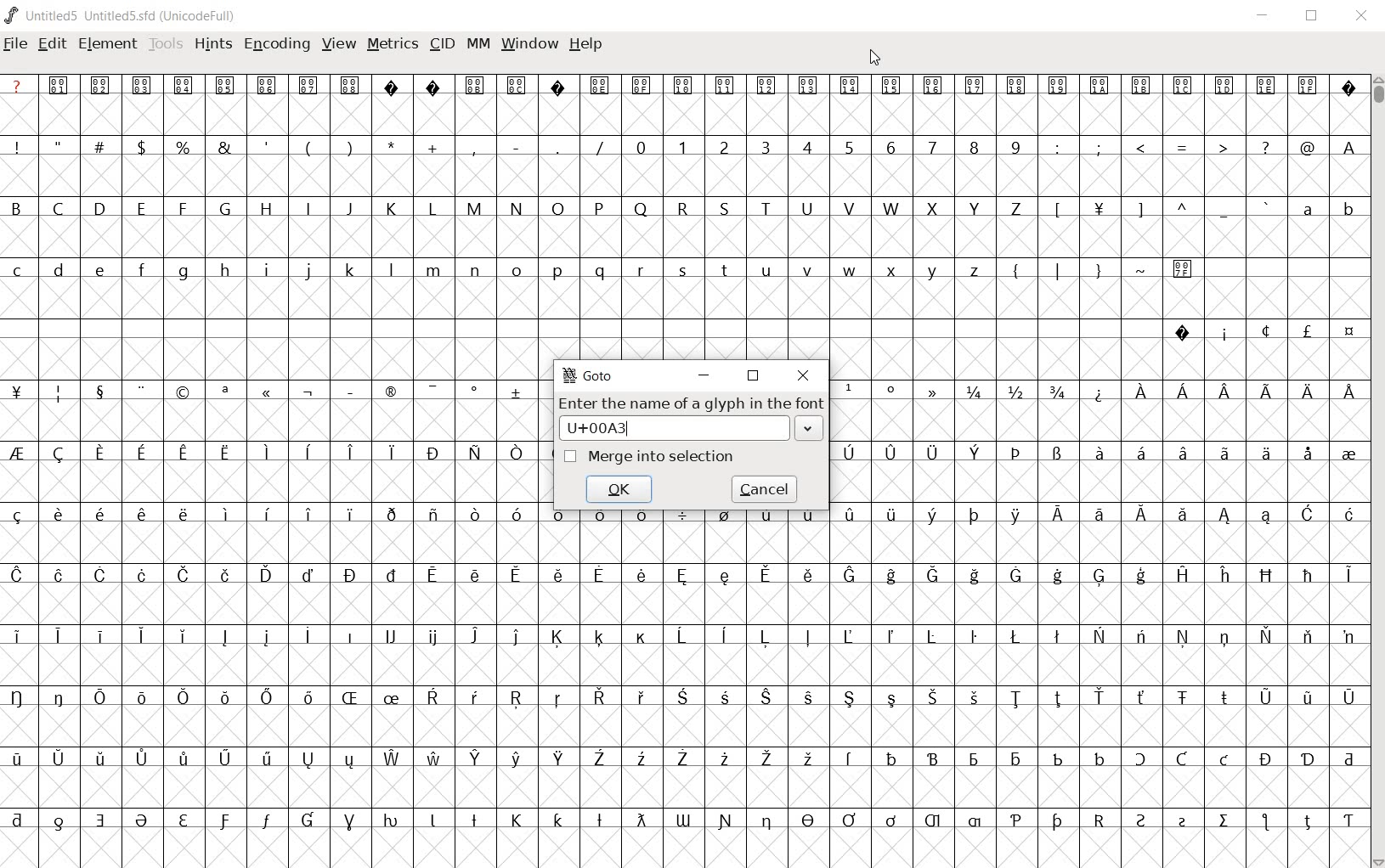  What do you see at coordinates (476, 272) in the screenshot?
I see `n` at bounding box center [476, 272].